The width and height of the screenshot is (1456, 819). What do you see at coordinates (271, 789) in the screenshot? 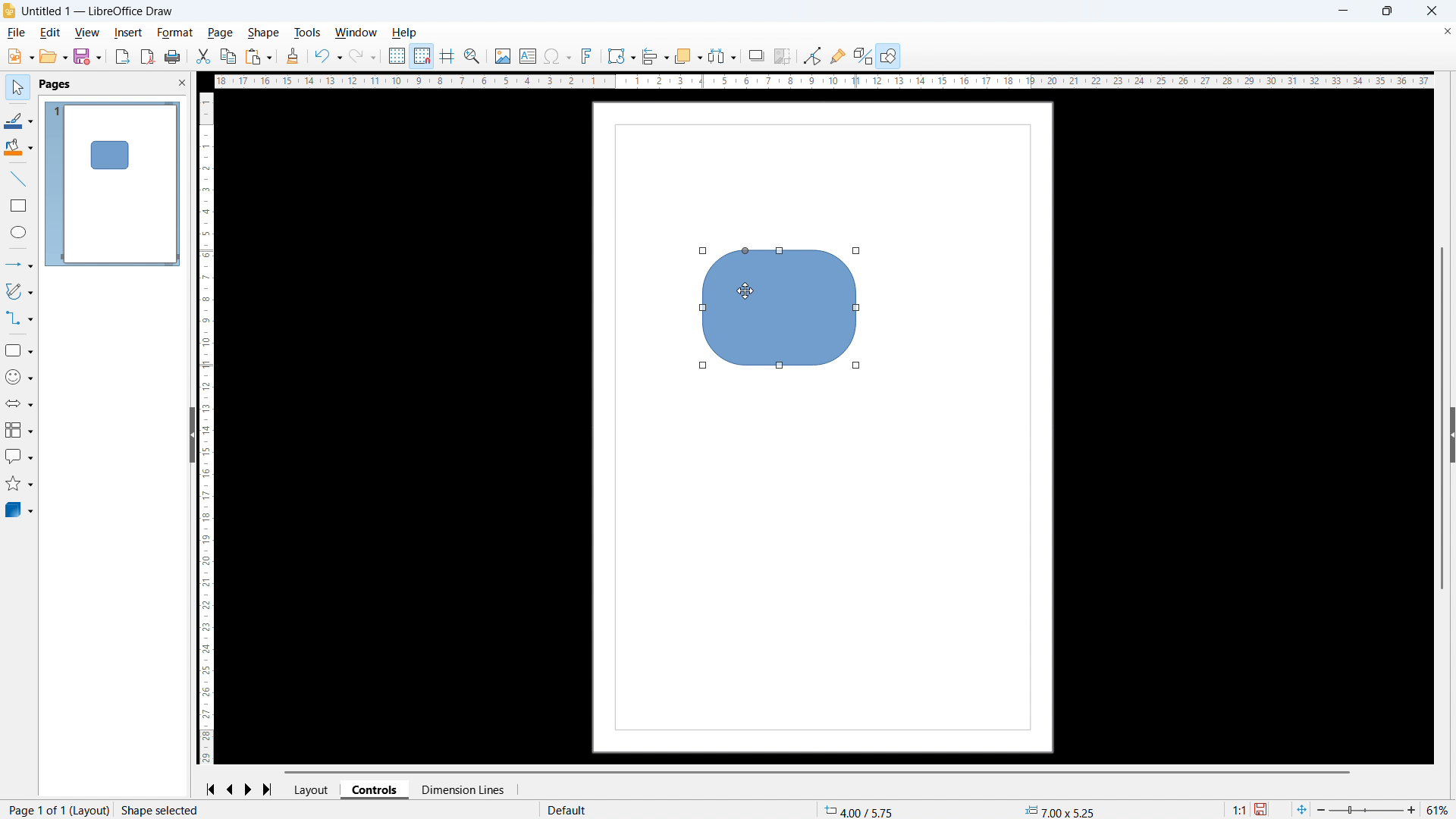
I see `last page` at bounding box center [271, 789].